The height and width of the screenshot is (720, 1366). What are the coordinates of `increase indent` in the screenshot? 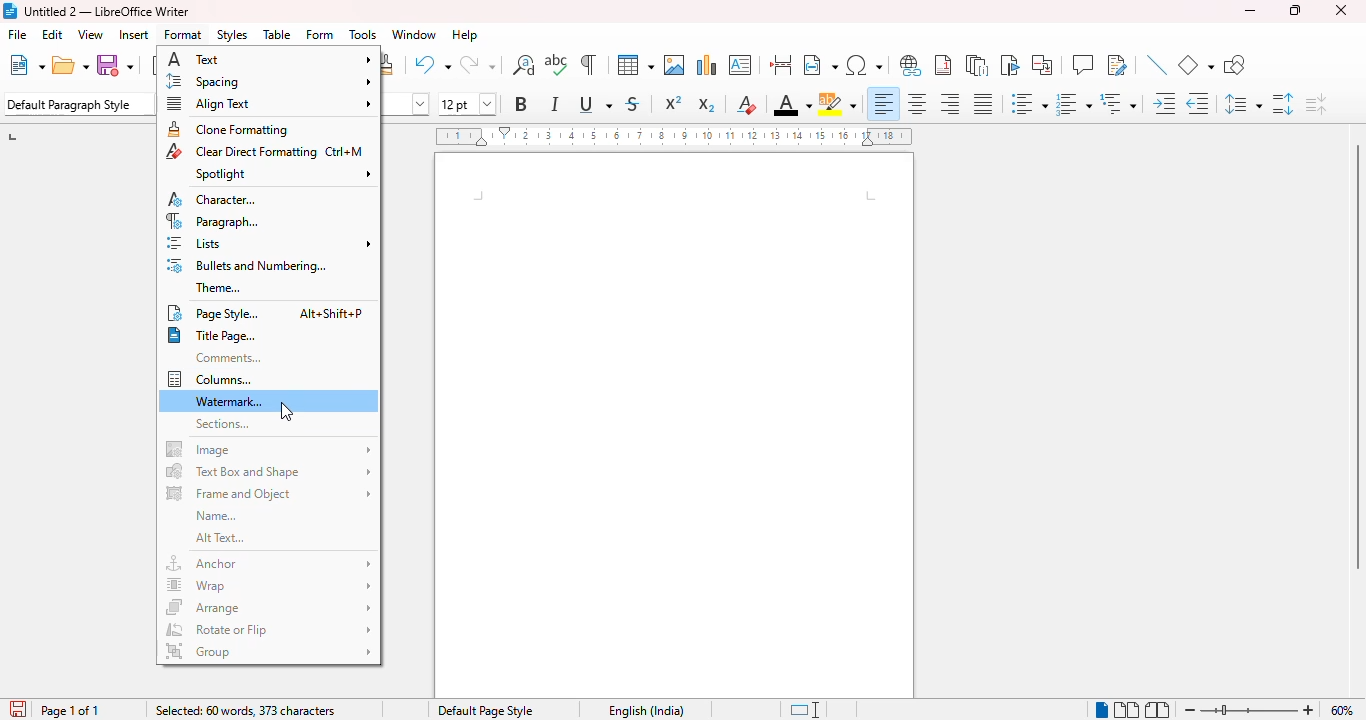 It's located at (1165, 103).